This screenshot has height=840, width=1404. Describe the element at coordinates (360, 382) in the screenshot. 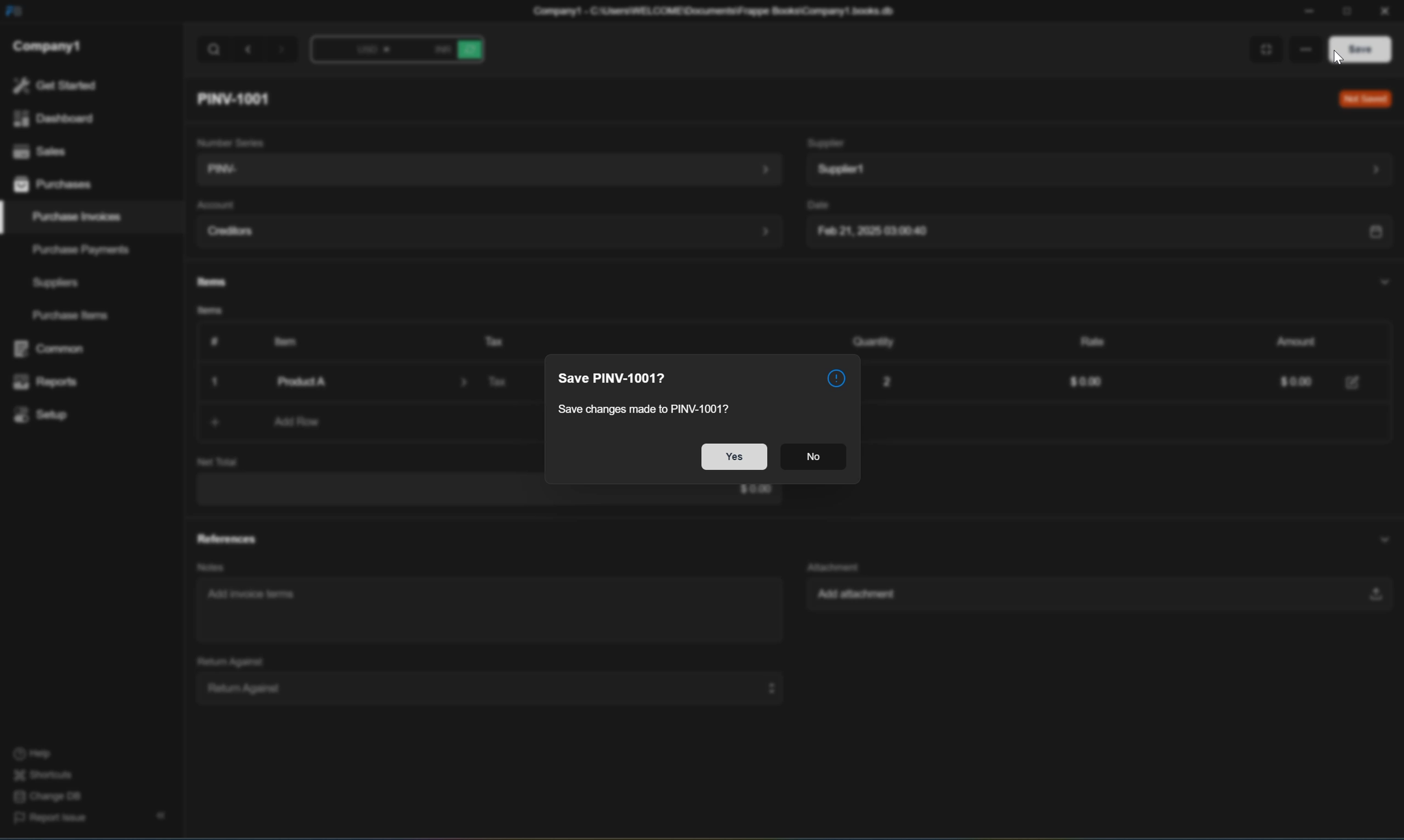

I see `Product A` at that location.